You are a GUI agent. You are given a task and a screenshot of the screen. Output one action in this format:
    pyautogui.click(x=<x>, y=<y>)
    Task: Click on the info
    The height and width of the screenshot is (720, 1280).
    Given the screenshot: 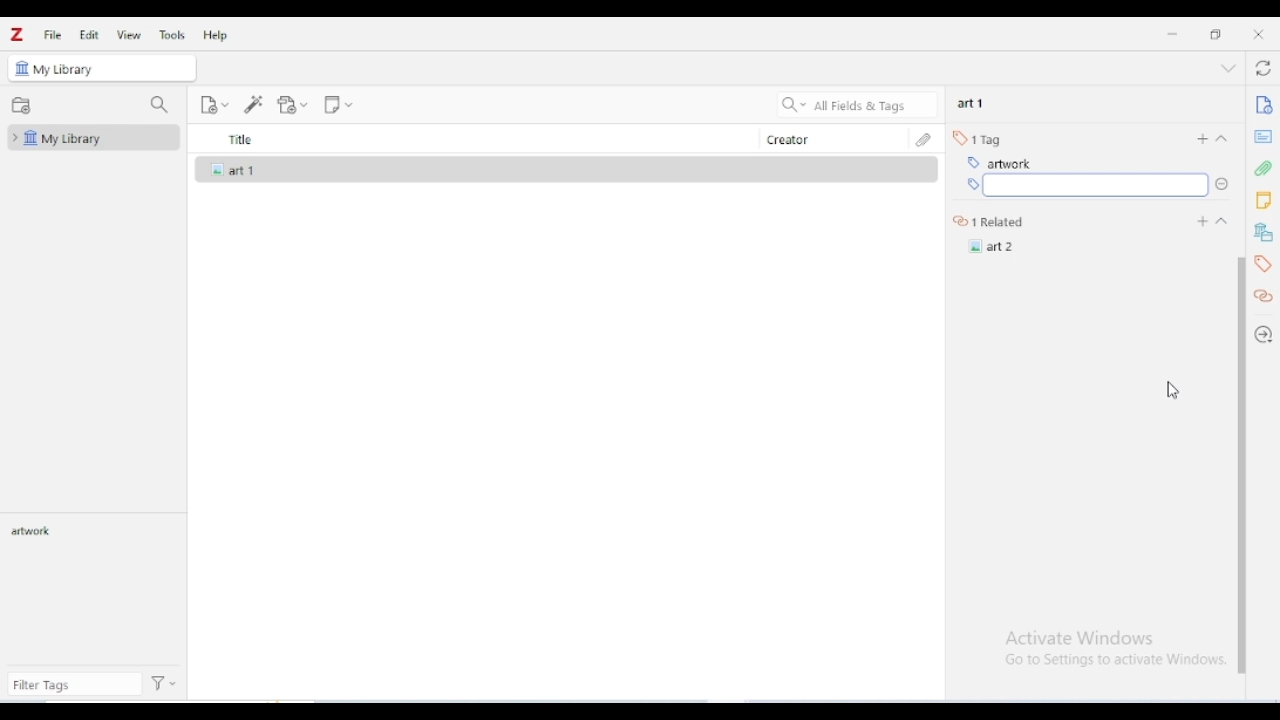 What is the action you would take?
    pyautogui.click(x=1263, y=104)
    